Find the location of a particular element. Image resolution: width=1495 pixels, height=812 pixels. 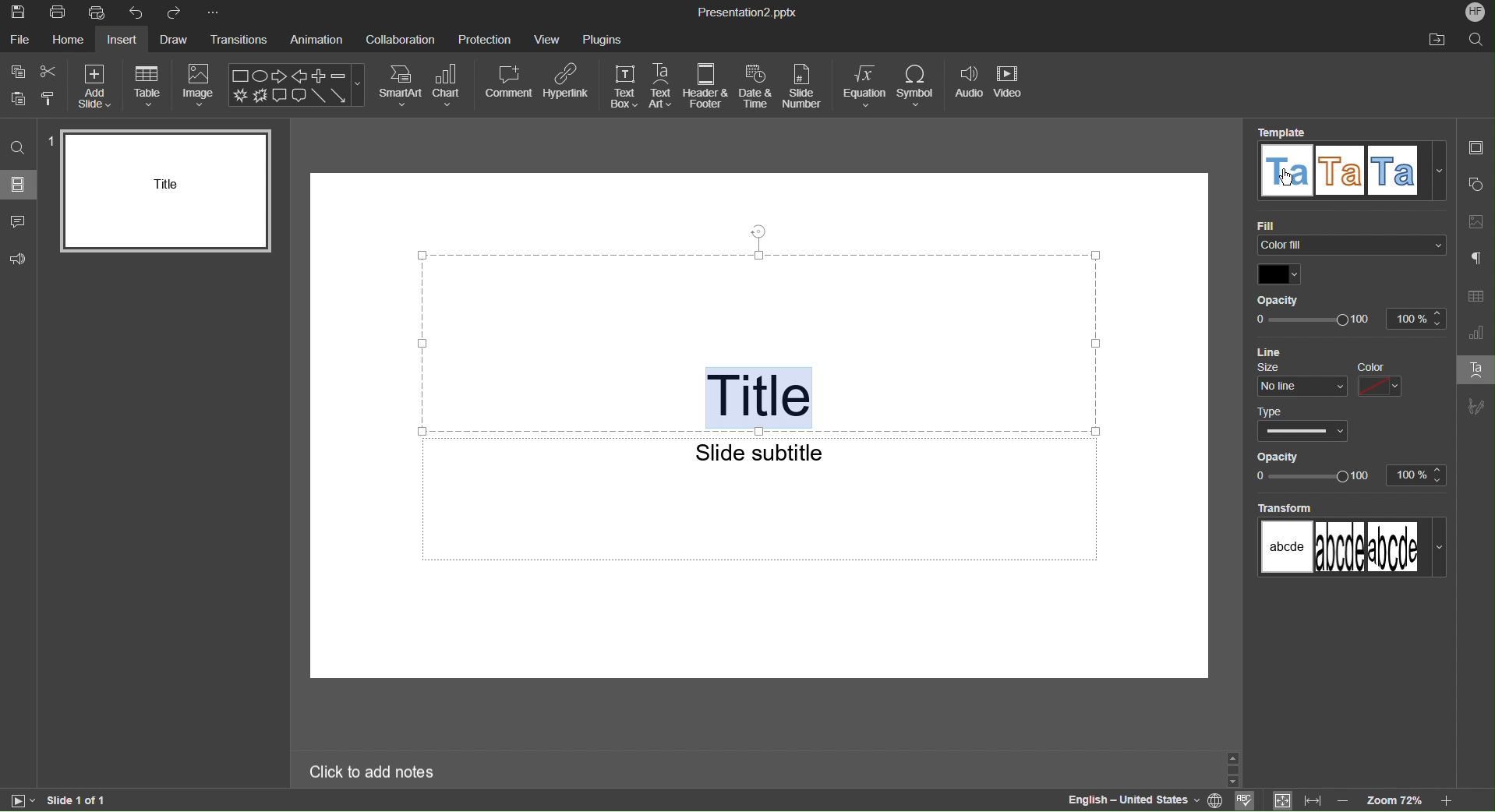

Text Box is located at coordinates (624, 86).